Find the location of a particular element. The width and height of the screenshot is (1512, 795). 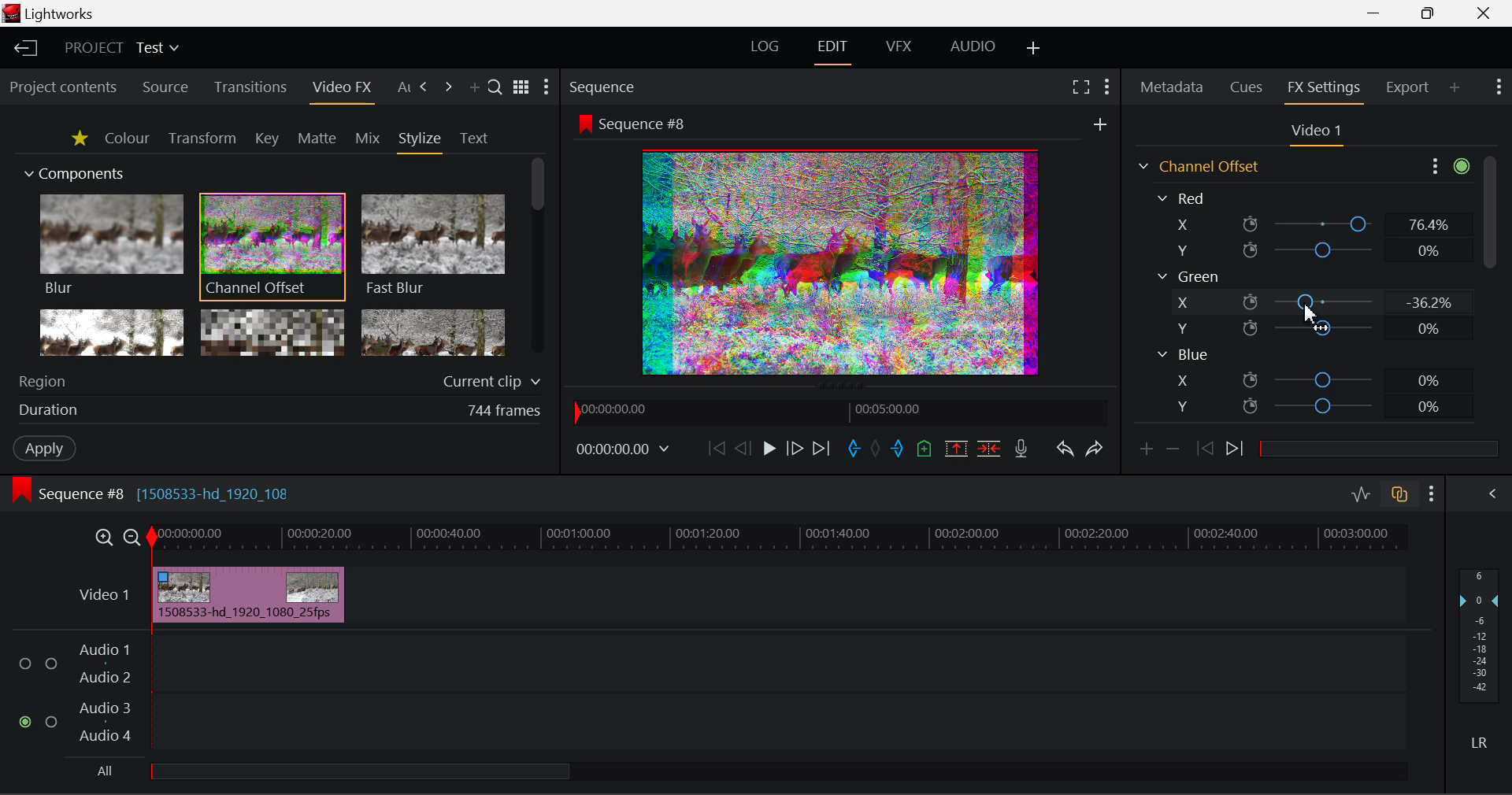

Toggle Audio Levels Editing is located at coordinates (1362, 495).